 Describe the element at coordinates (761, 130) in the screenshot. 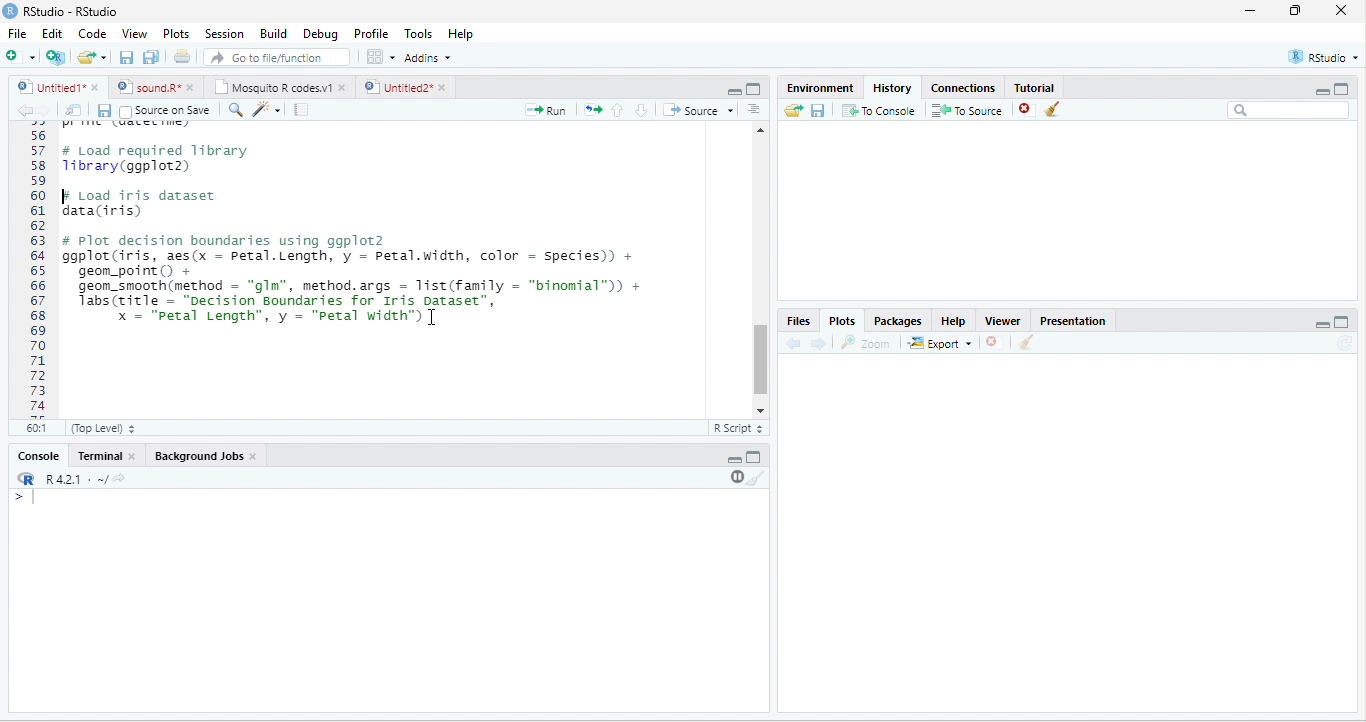

I see `scroll up` at that location.